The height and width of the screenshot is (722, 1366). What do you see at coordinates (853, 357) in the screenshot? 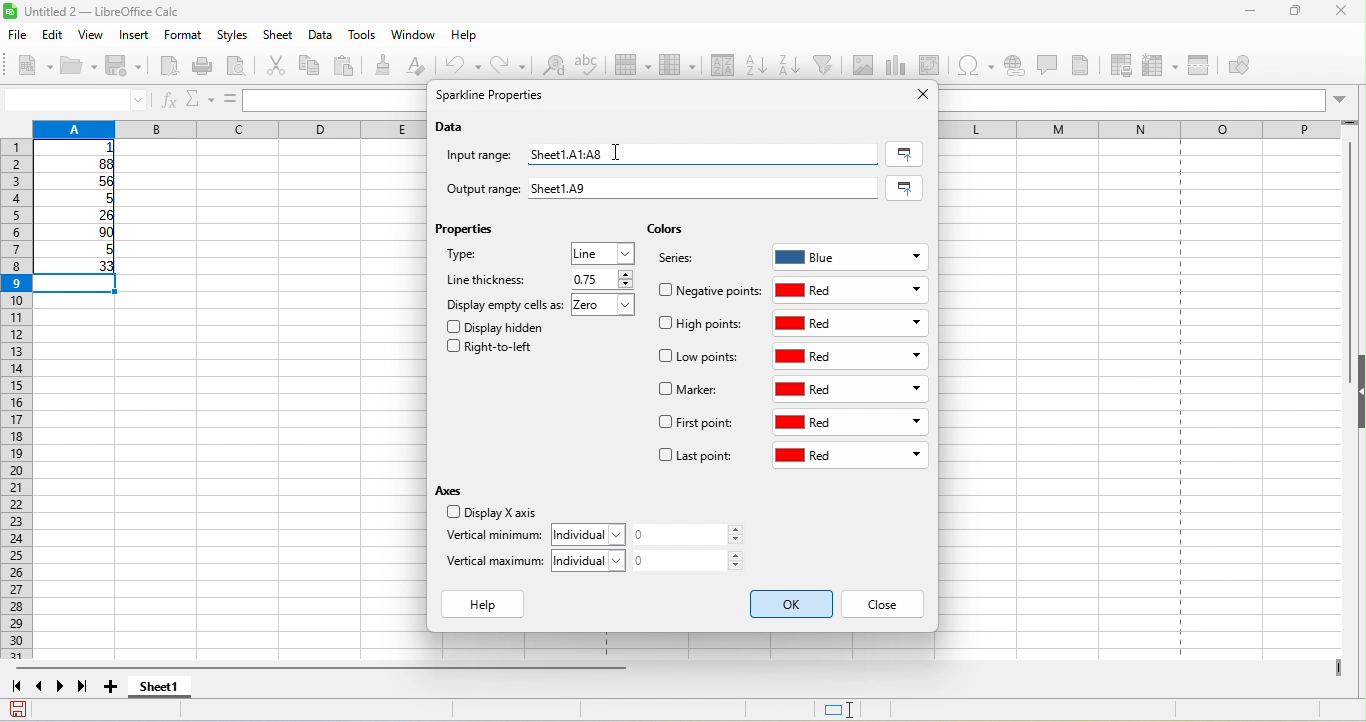
I see `red` at bounding box center [853, 357].